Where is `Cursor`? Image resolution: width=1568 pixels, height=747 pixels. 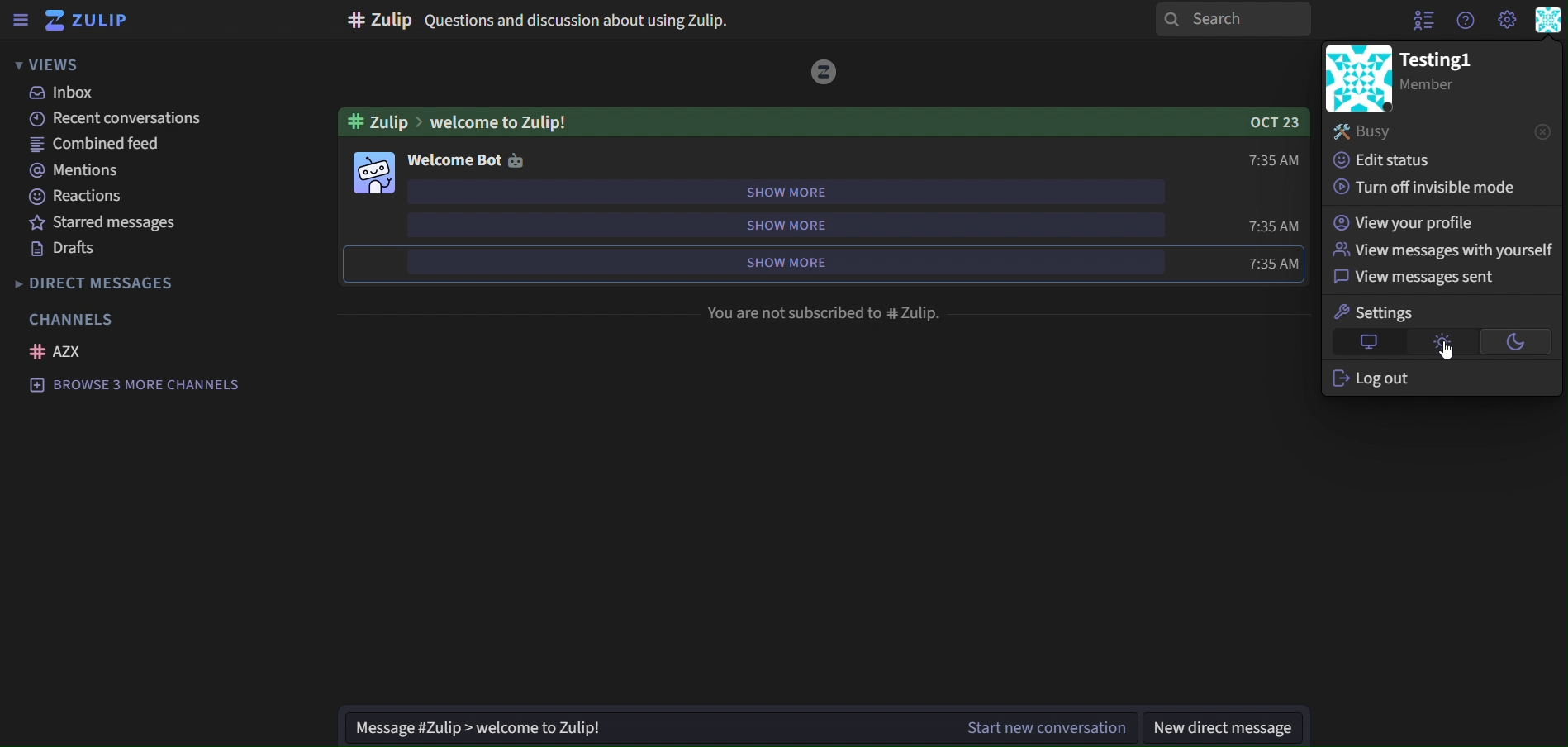 Cursor is located at coordinates (1445, 351).